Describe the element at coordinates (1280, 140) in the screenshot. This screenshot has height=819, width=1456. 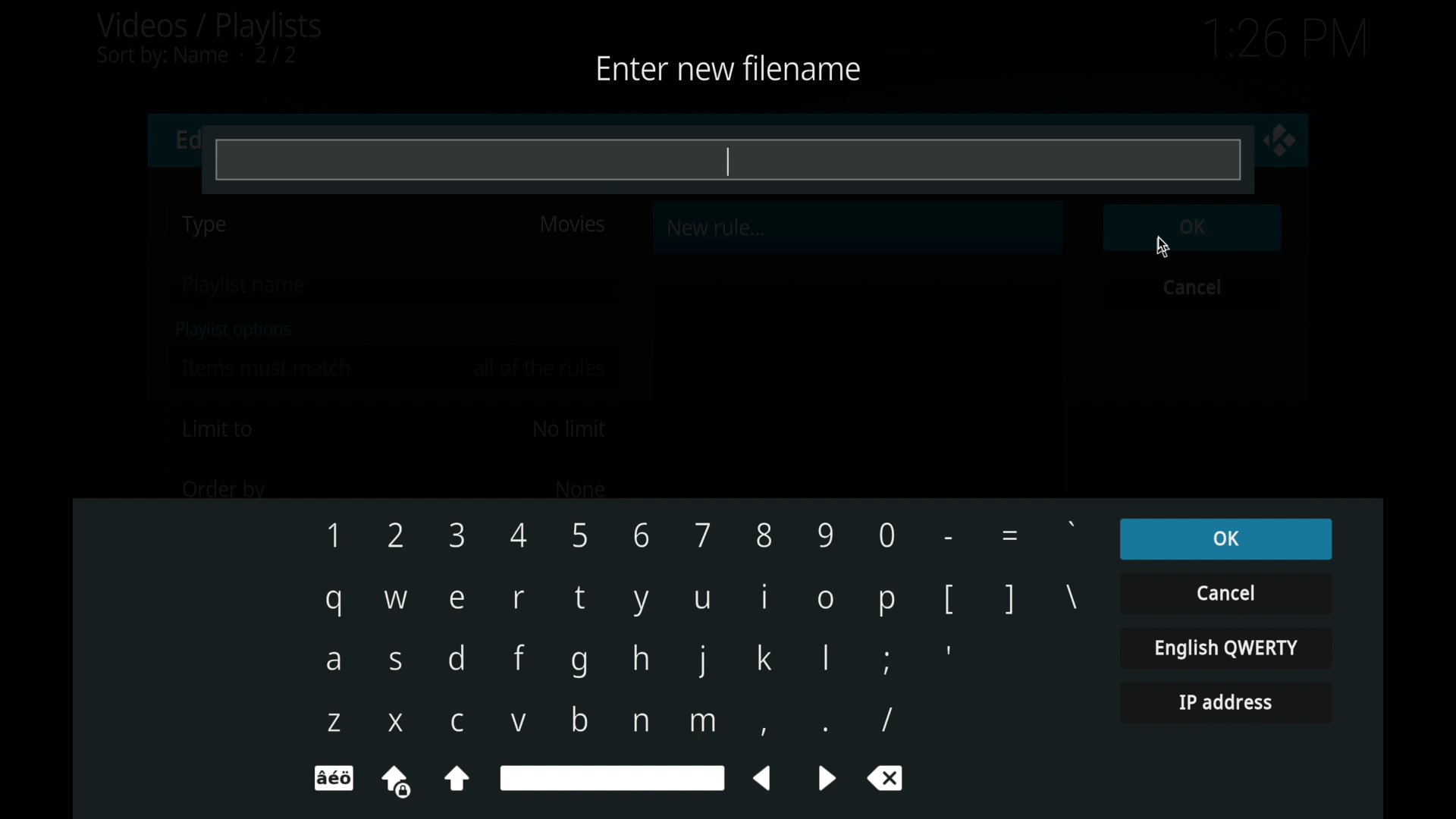
I see `close` at that location.